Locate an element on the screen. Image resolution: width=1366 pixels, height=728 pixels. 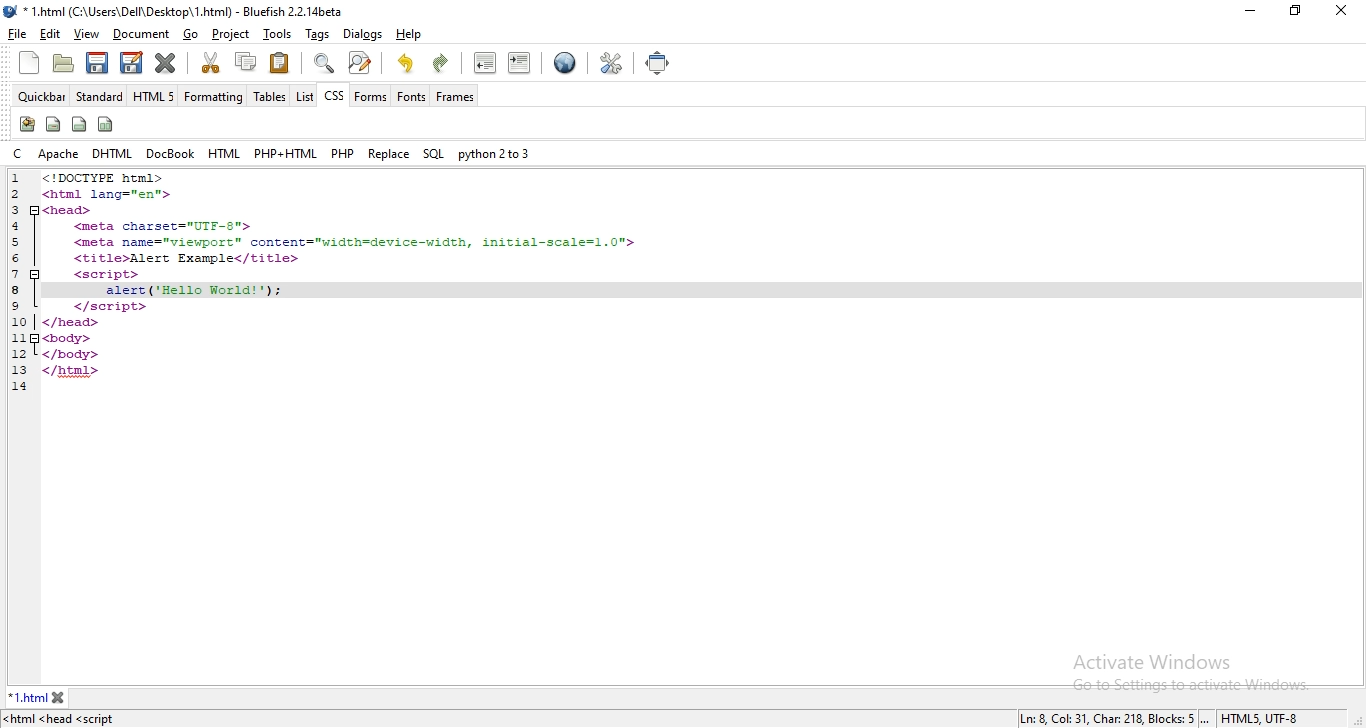
tables is located at coordinates (266, 97).